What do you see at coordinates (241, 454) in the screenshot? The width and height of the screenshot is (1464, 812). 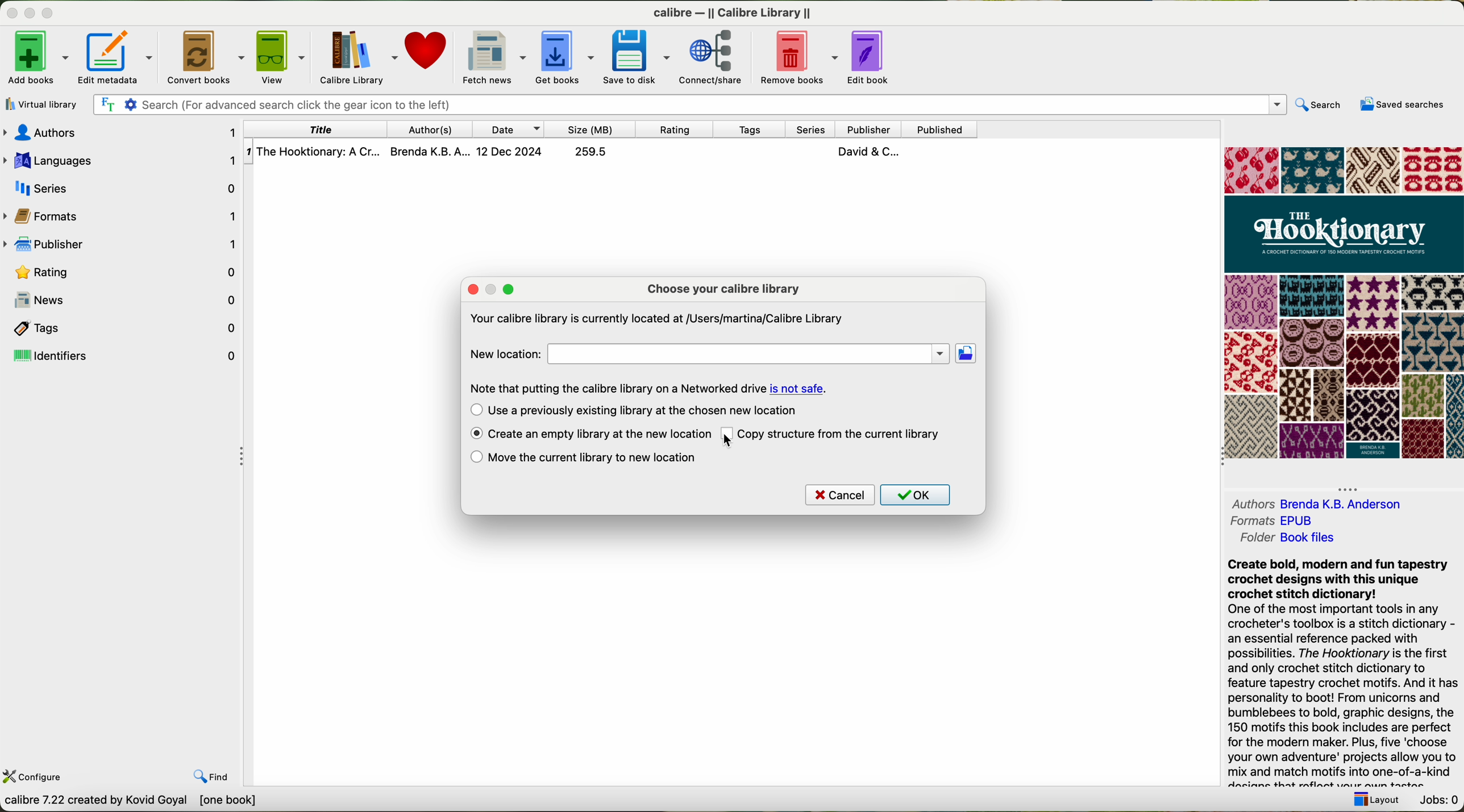 I see `hide` at bounding box center [241, 454].